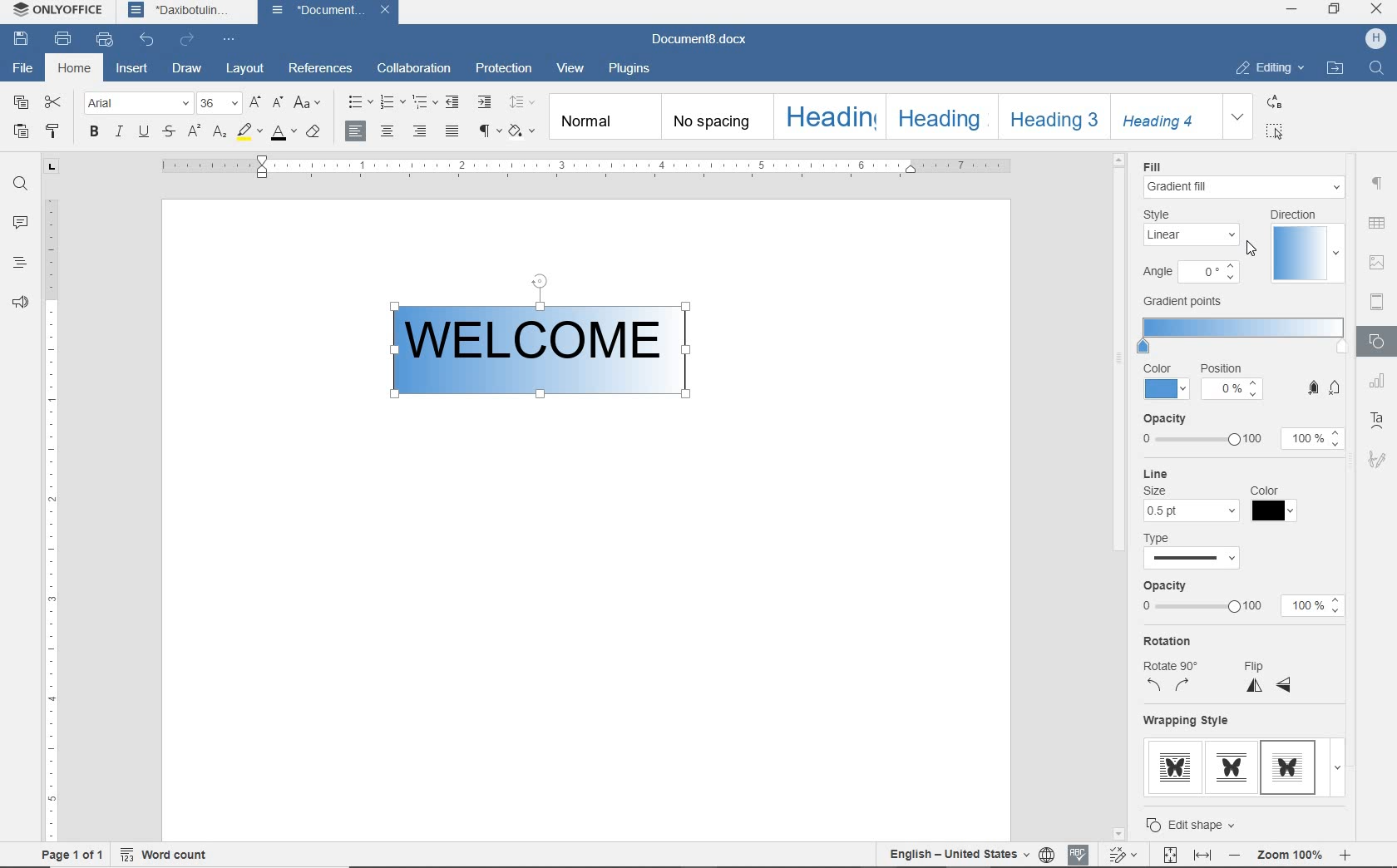  What do you see at coordinates (631, 70) in the screenshot?
I see `PLUGINS` at bounding box center [631, 70].